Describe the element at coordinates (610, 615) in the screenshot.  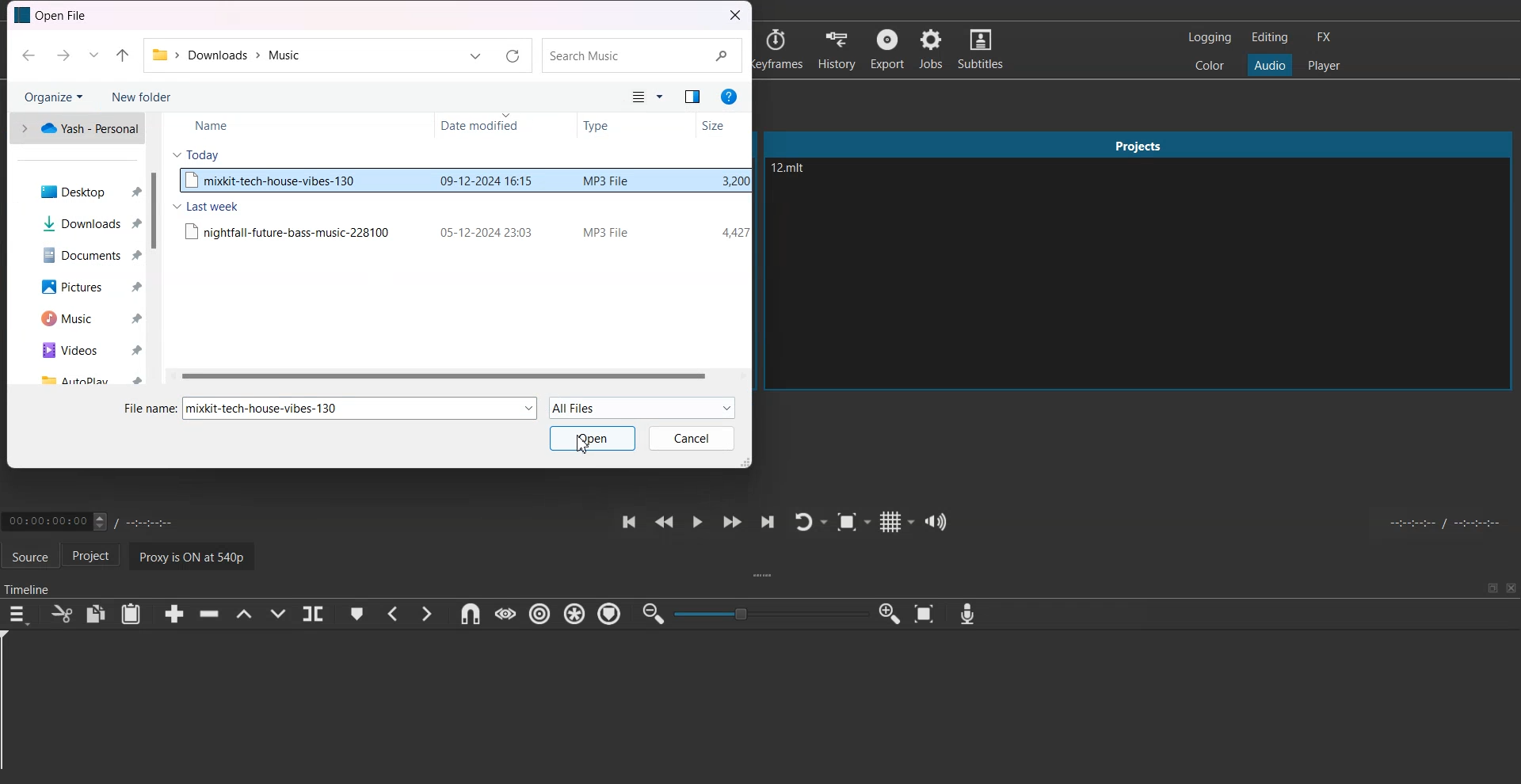
I see `Ripple marketers` at that location.